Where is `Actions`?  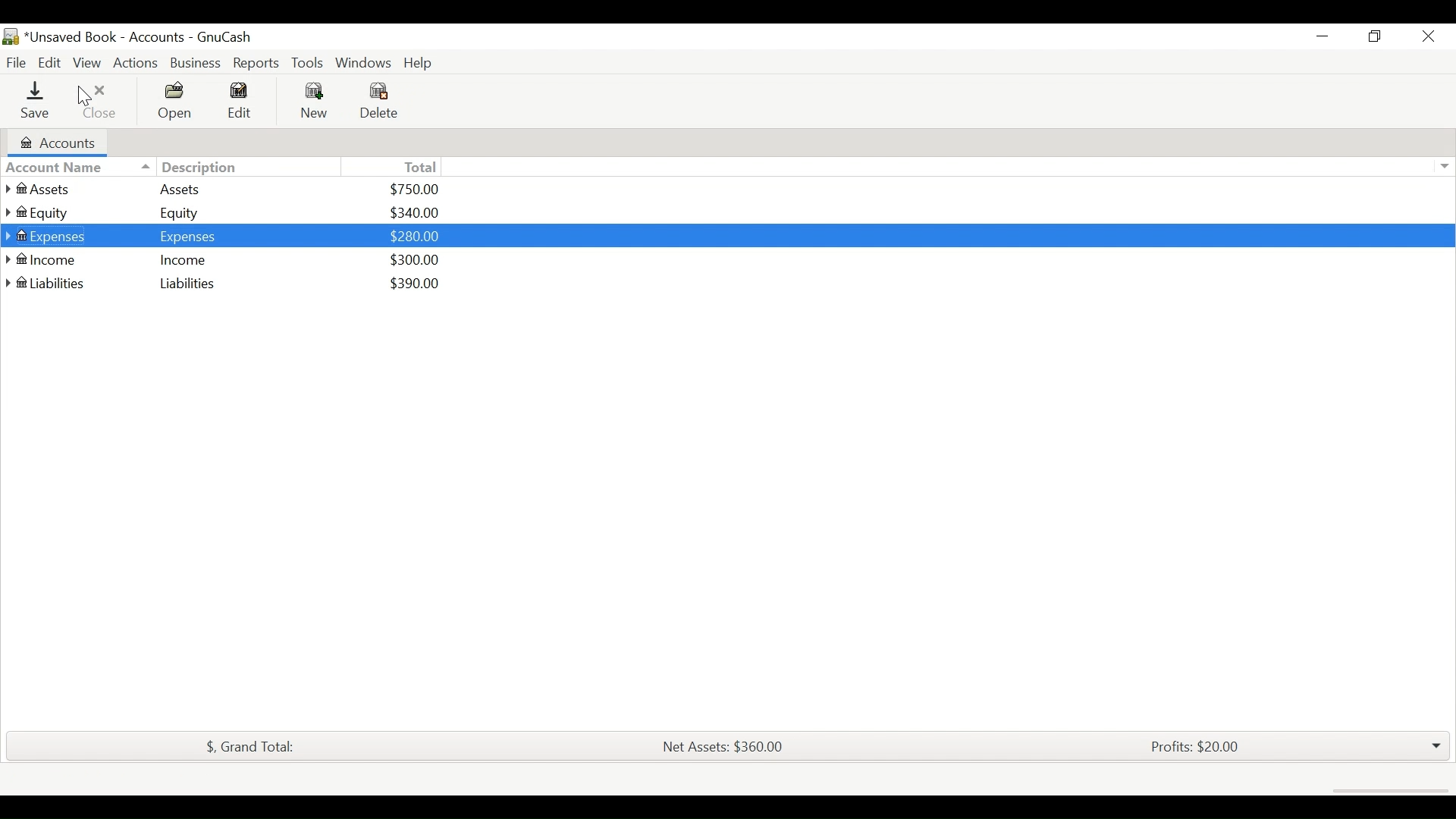 Actions is located at coordinates (136, 61).